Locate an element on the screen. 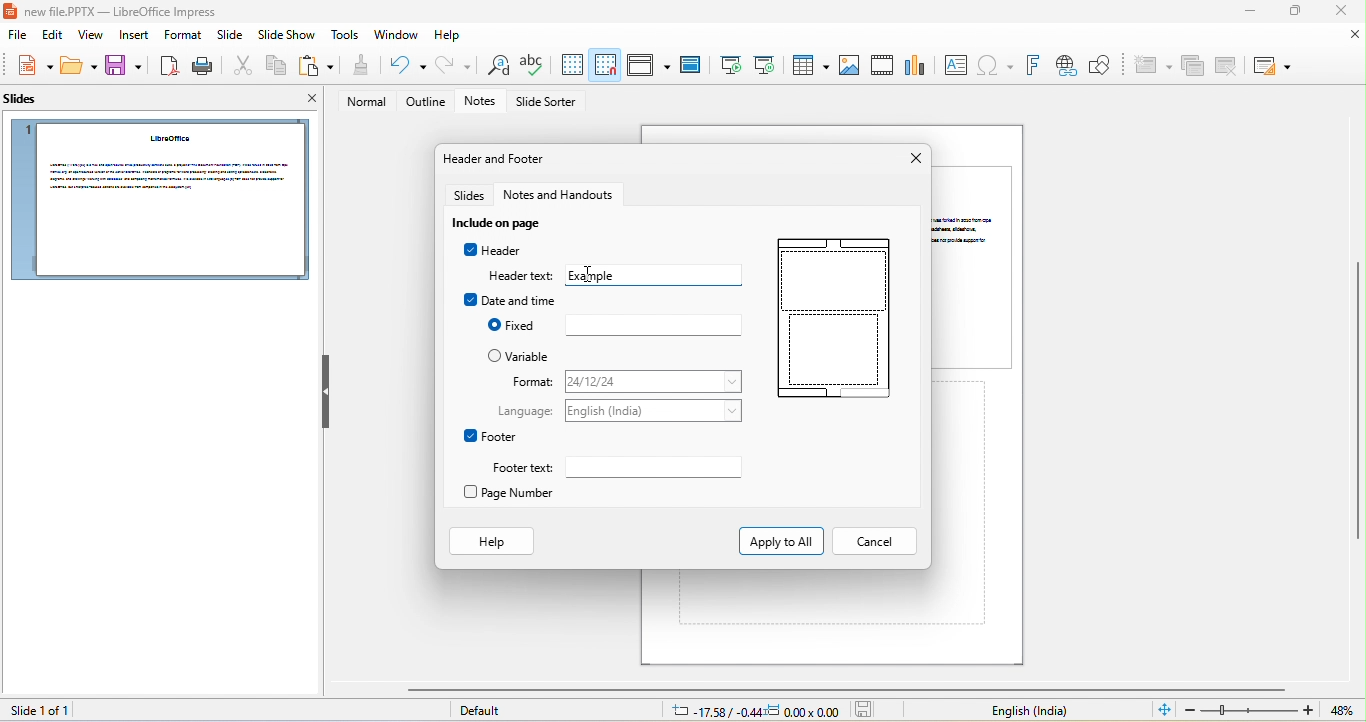 The height and width of the screenshot is (722, 1366). window is located at coordinates (397, 35).